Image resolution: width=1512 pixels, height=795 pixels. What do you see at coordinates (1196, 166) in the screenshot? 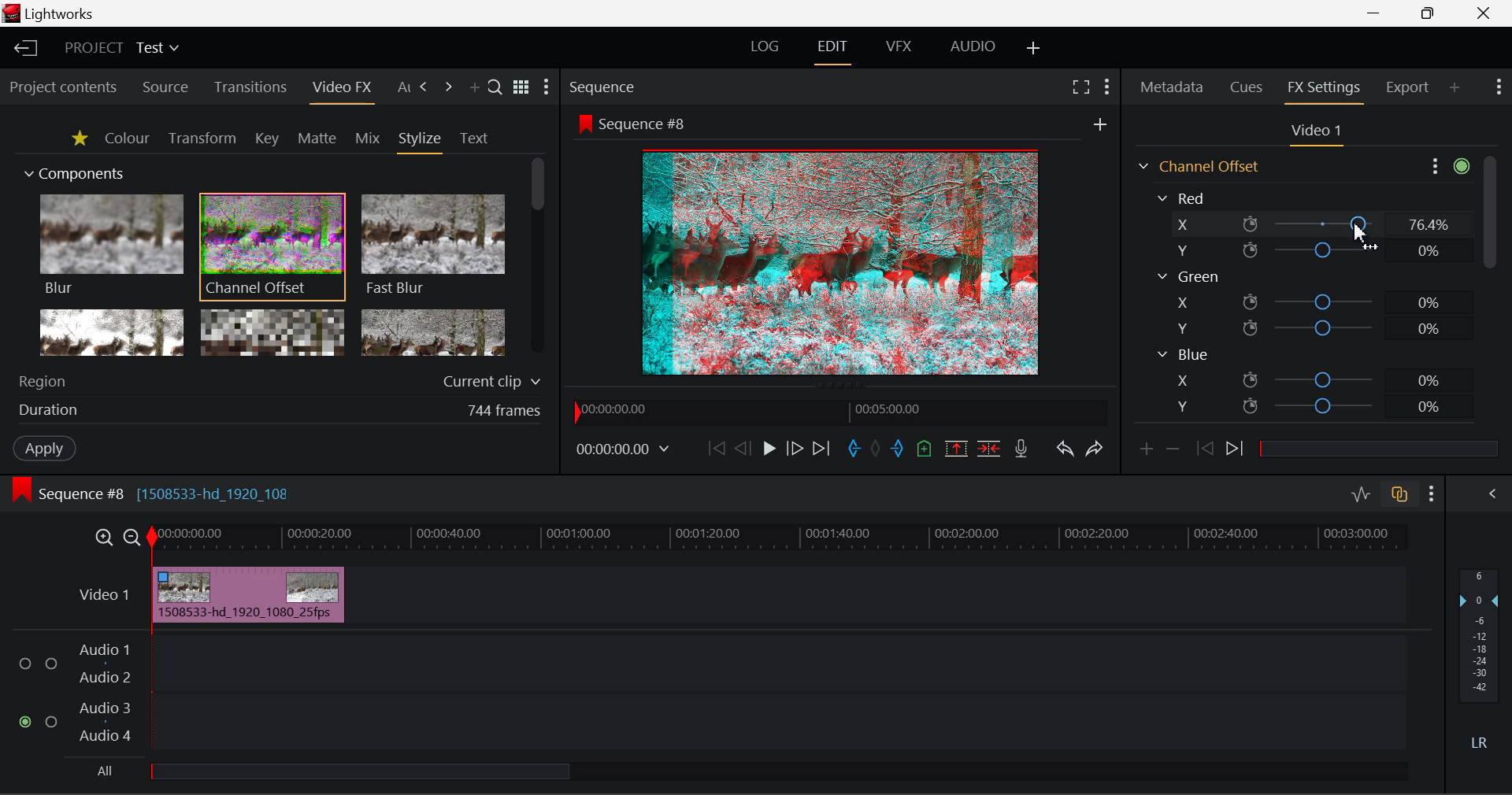
I see `Channel Offset` at bounding box center [1196, 166].